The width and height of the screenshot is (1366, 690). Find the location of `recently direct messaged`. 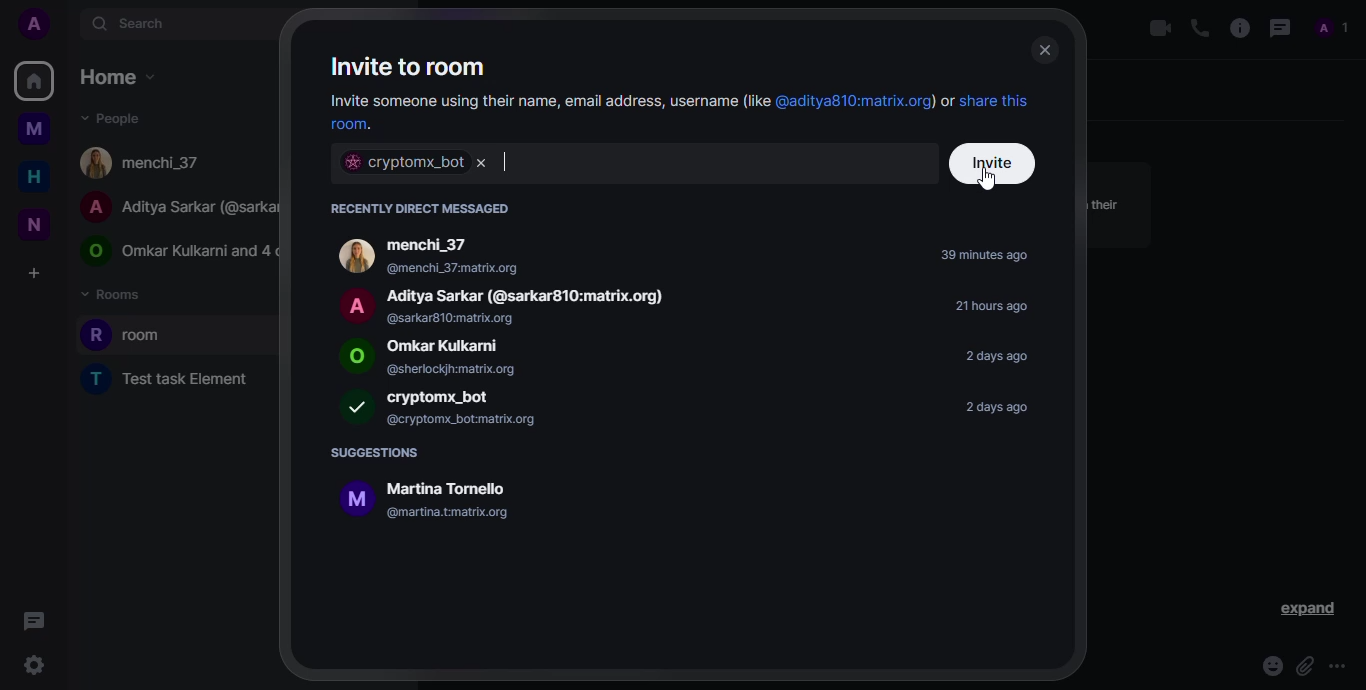

recently direct messaged is located at coordinates (421, 207).